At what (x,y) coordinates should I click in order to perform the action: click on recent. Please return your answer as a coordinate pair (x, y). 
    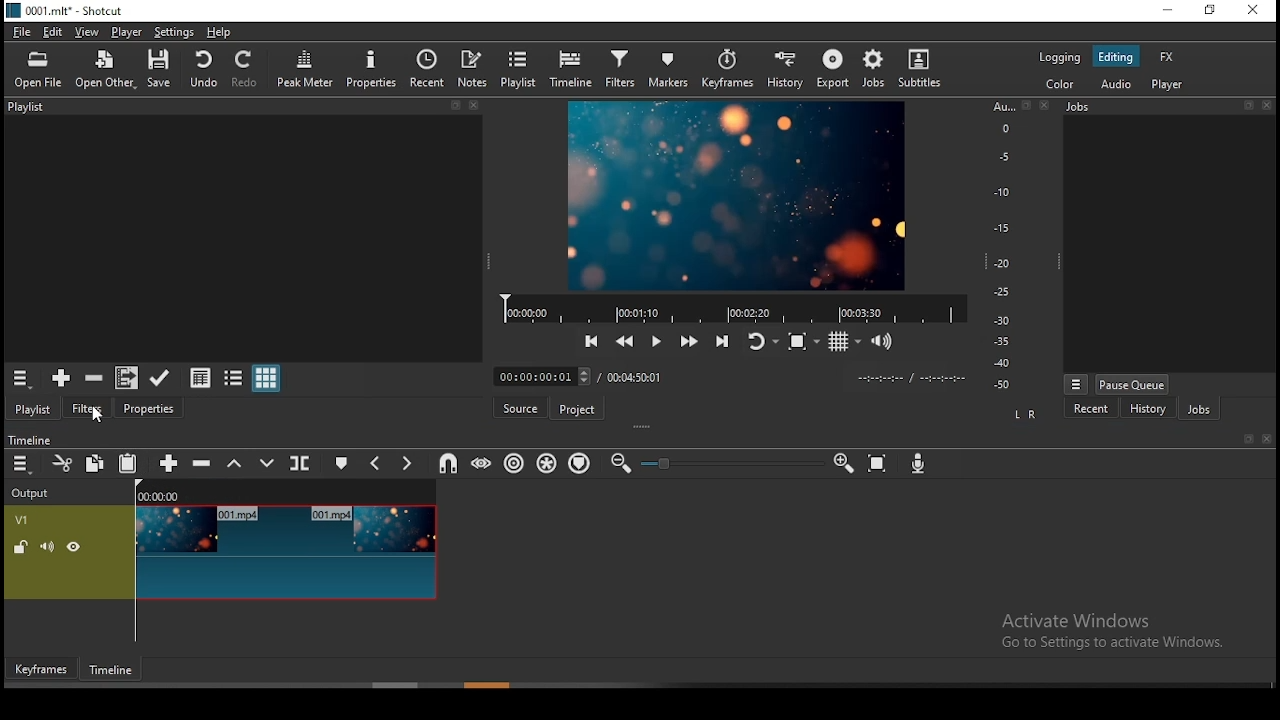
    Looking at the image, I should click on (1093, 408).